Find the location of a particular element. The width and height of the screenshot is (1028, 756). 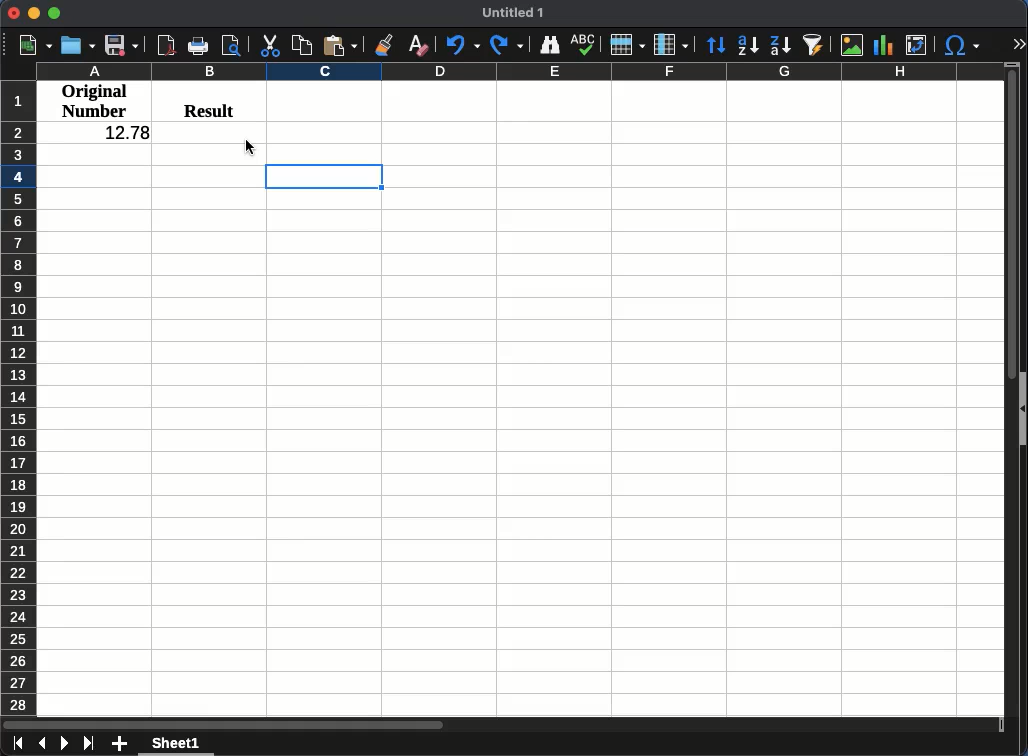

Undo is located at coordinates (462, 47).